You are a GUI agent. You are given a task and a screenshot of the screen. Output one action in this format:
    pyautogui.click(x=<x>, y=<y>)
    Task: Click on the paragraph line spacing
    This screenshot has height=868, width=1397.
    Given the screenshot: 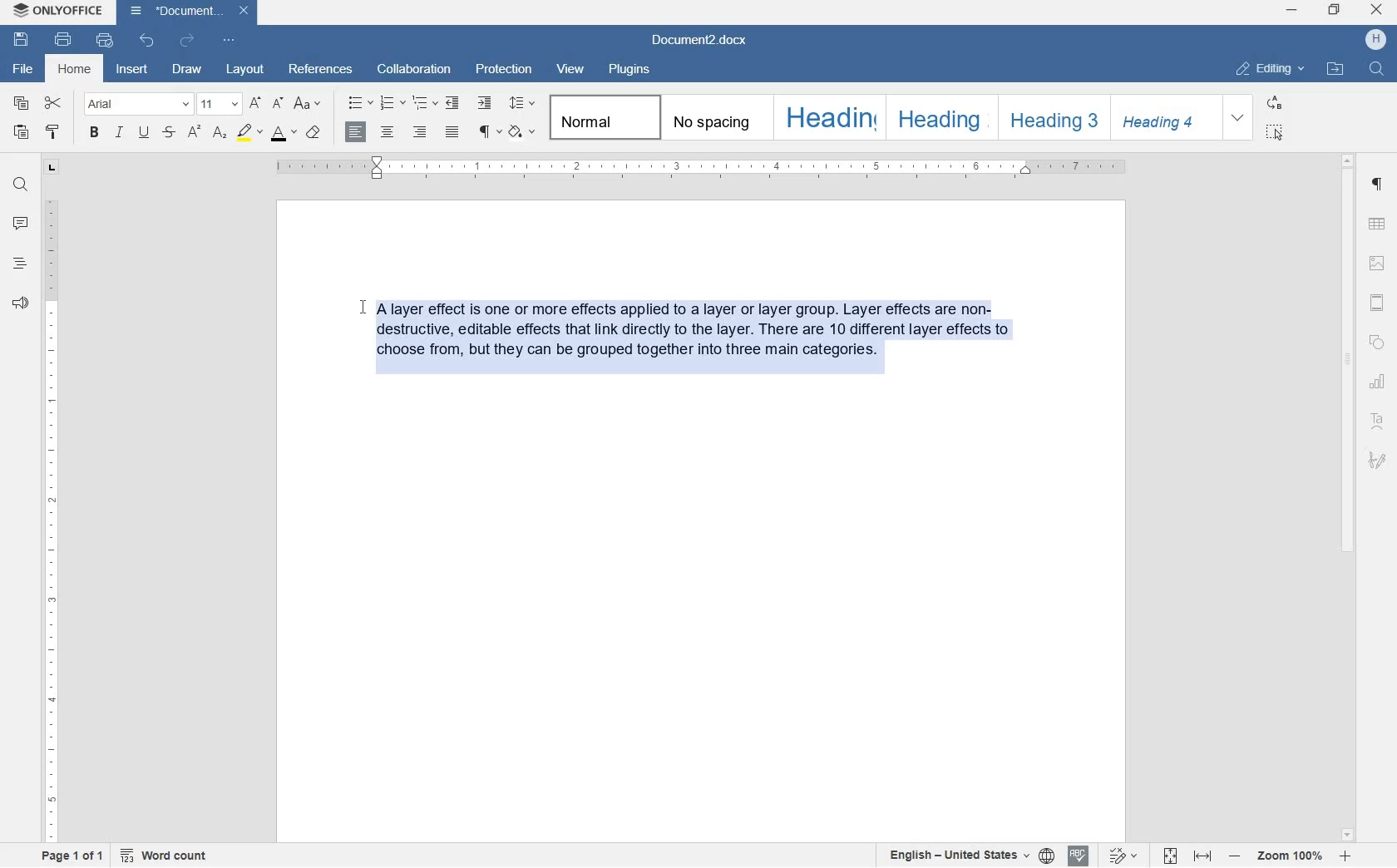 What is the action you would take?
    pyautogui.click(x=522, y=104)
    